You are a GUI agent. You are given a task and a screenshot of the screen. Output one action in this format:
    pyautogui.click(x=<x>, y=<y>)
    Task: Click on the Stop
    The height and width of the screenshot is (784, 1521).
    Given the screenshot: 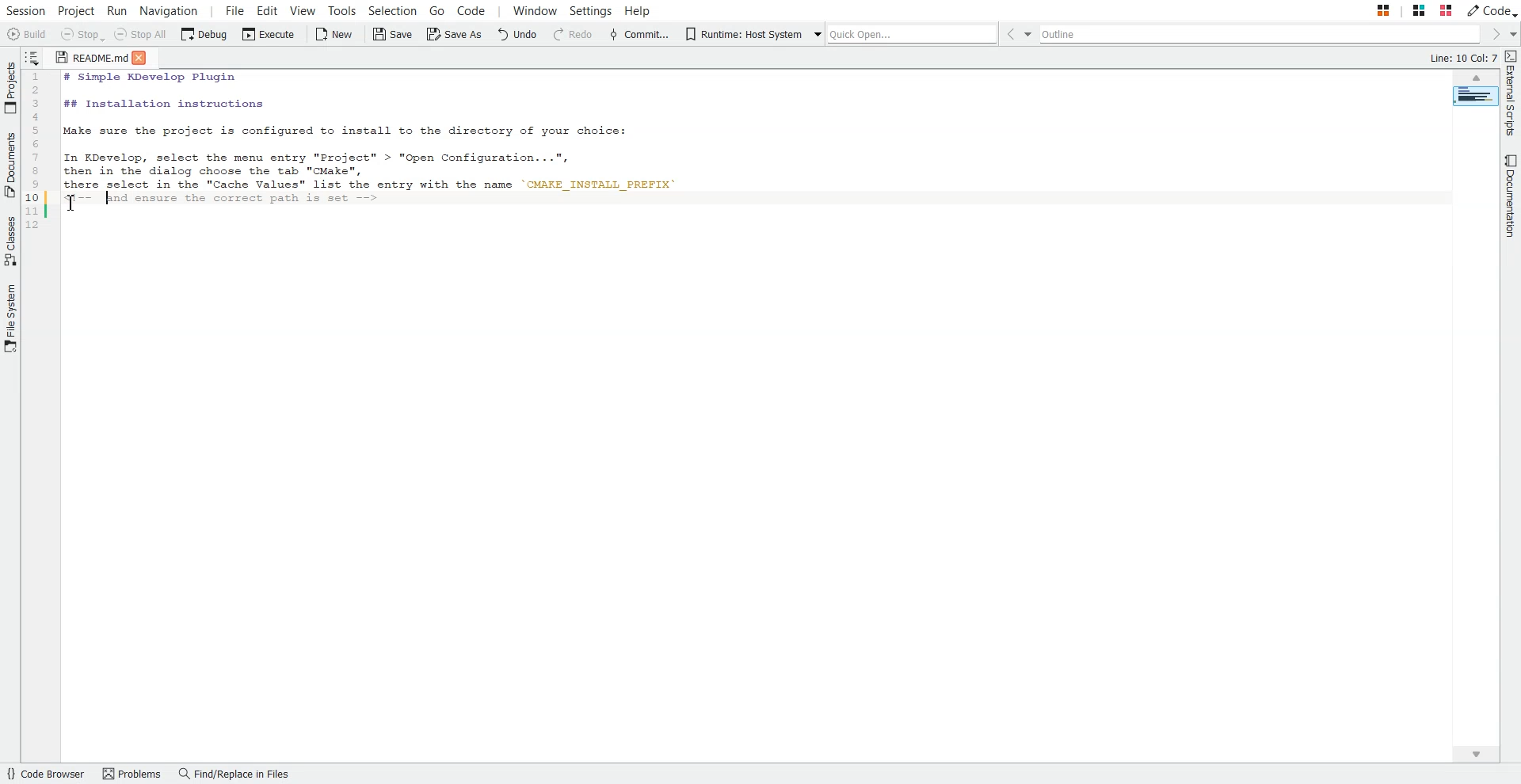 What is the action you would take?
    pyautogui.click(x=82, y=35)
    